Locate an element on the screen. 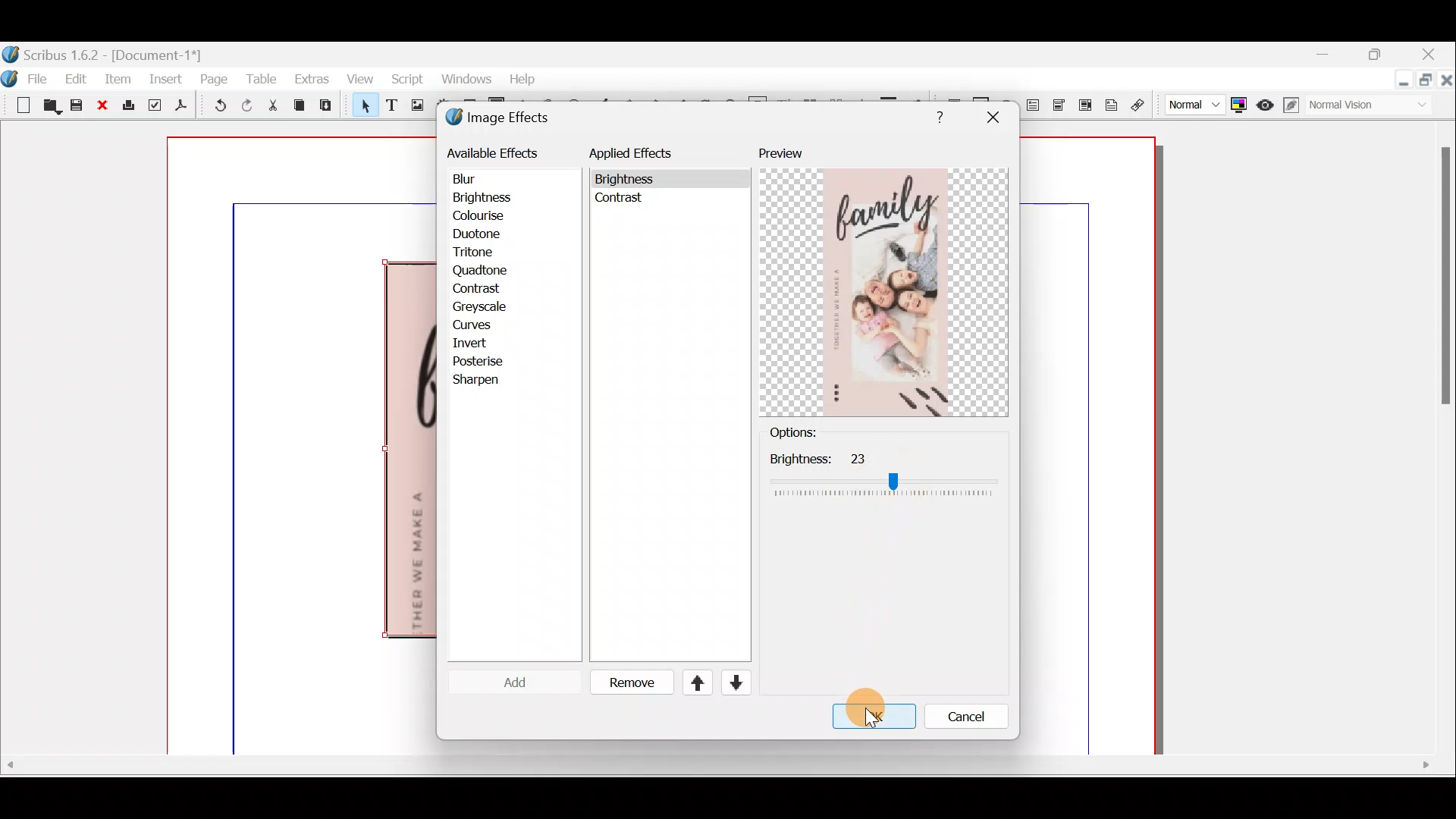 The image size is (1456, 819). Move down is located at coordinates (734, 682).